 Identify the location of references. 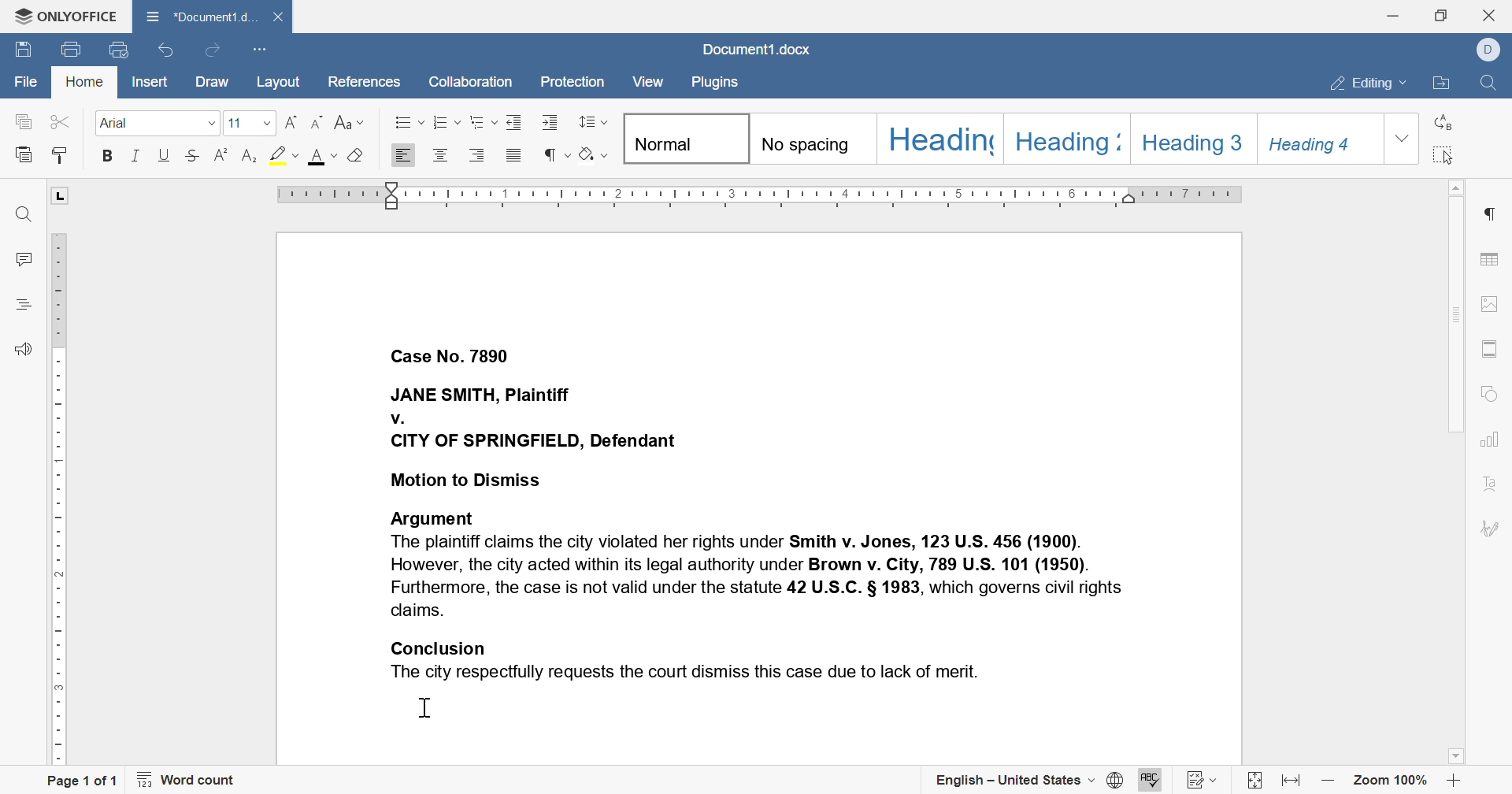
(367, 84).